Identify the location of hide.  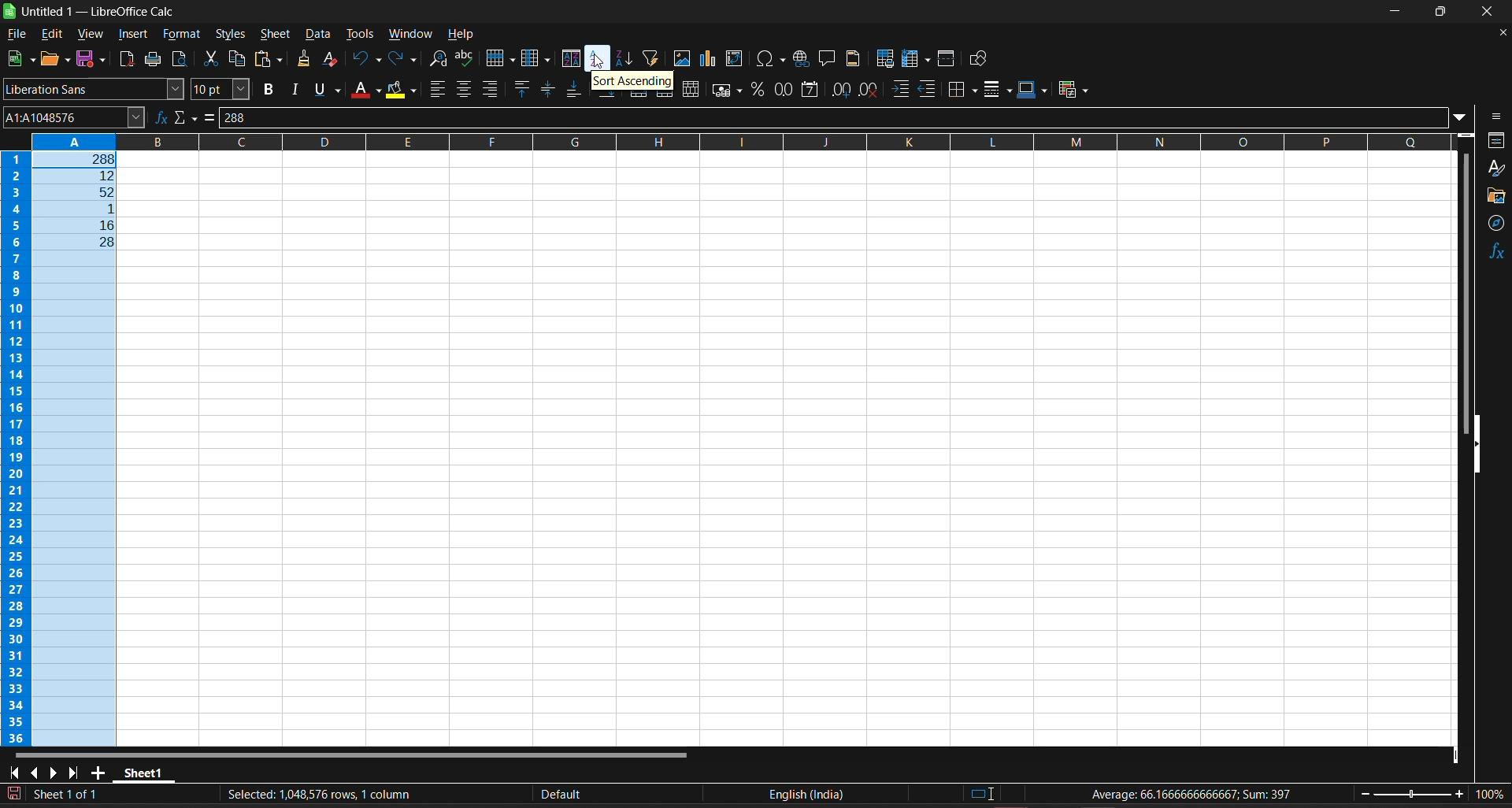
(1477, 444).